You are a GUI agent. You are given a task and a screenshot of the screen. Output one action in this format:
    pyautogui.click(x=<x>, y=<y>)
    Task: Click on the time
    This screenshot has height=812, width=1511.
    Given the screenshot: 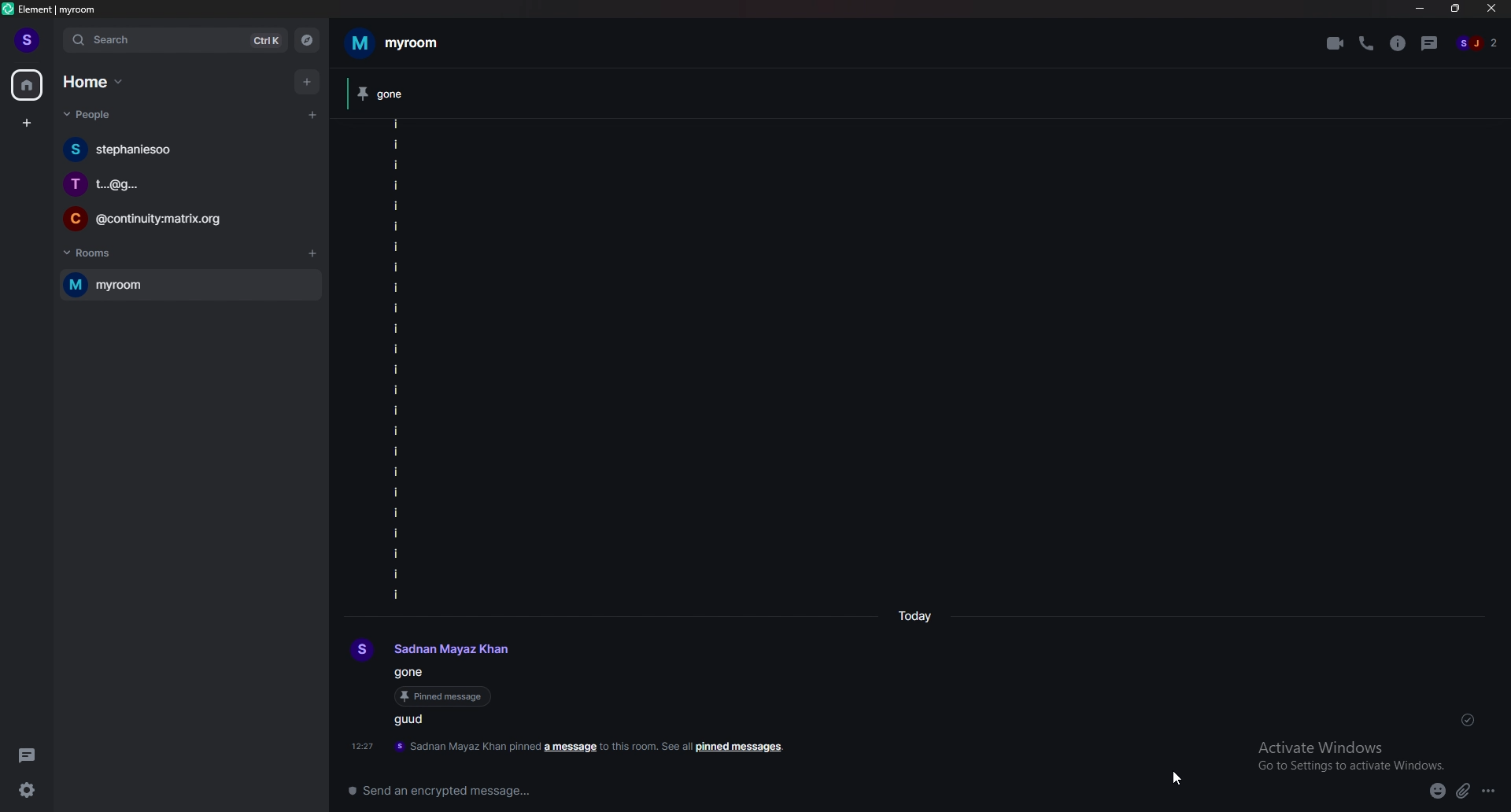 What is the action you would take?
    pyautogui.click(x=918, y=615)
    